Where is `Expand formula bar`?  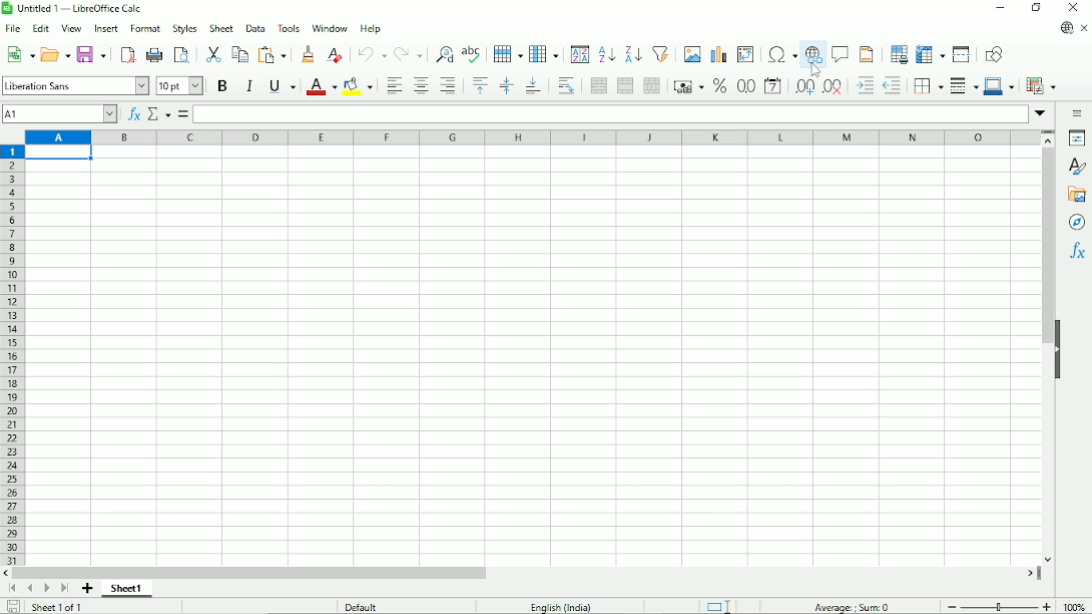 Expand formula bar is located at coordinates (1041, 114).